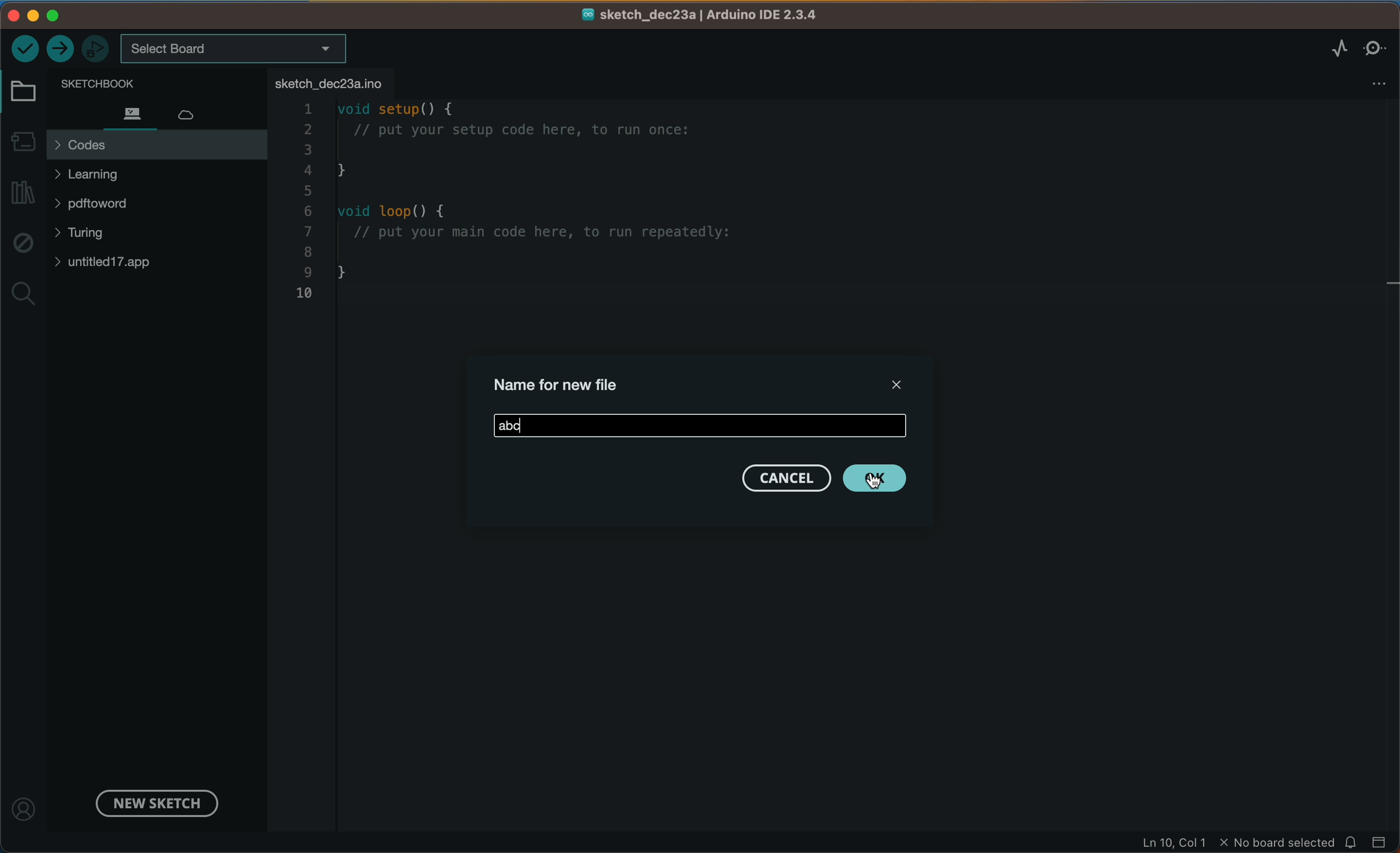 This screenshot has width=1400, height=853. I want to click on board selecter, so click(235, 49).